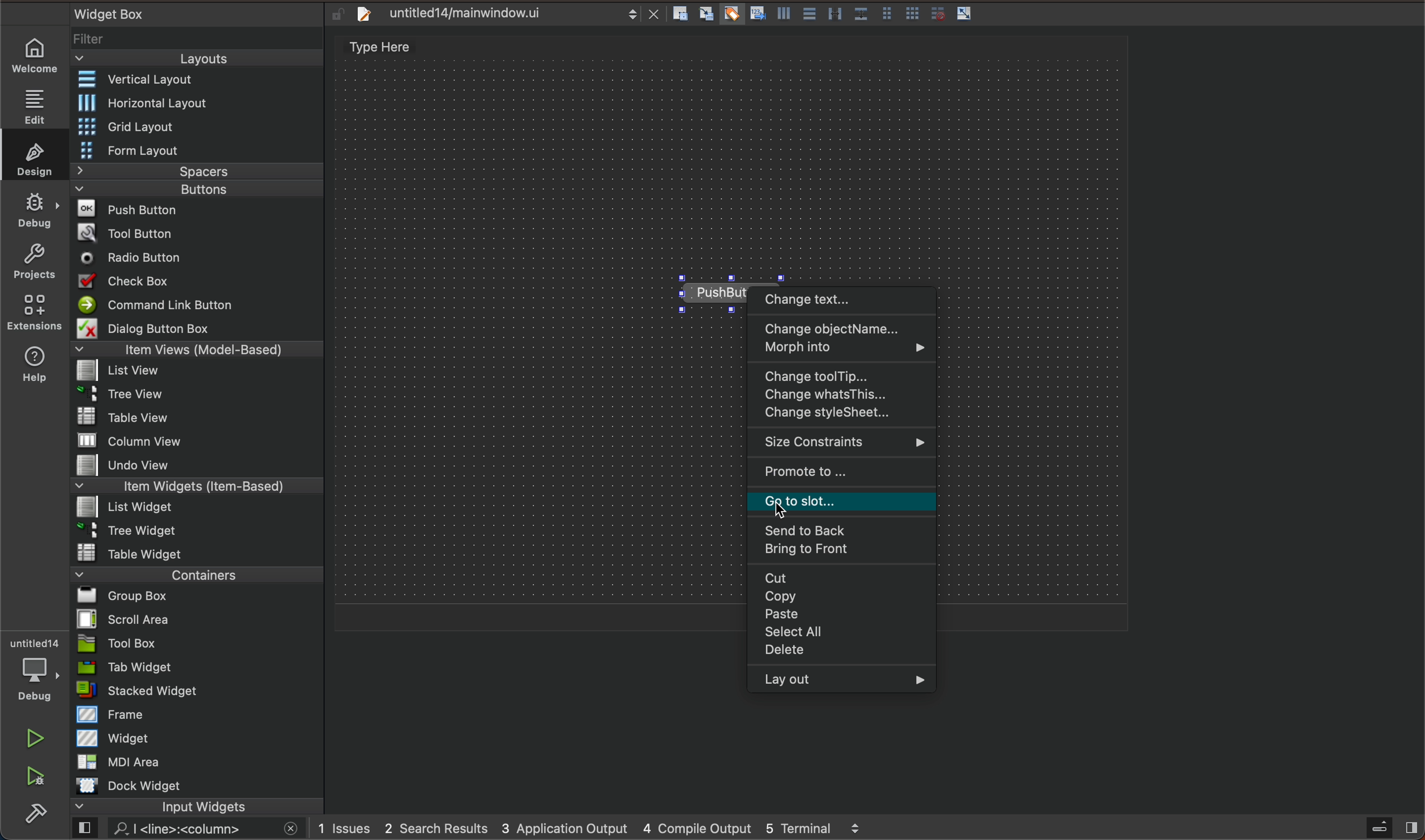 The height and width of the screenshot is (840, 1425). What do you see at coordinates (844, 471) in the screenshot?
I see `promote to` at bounding box center [844, 471].